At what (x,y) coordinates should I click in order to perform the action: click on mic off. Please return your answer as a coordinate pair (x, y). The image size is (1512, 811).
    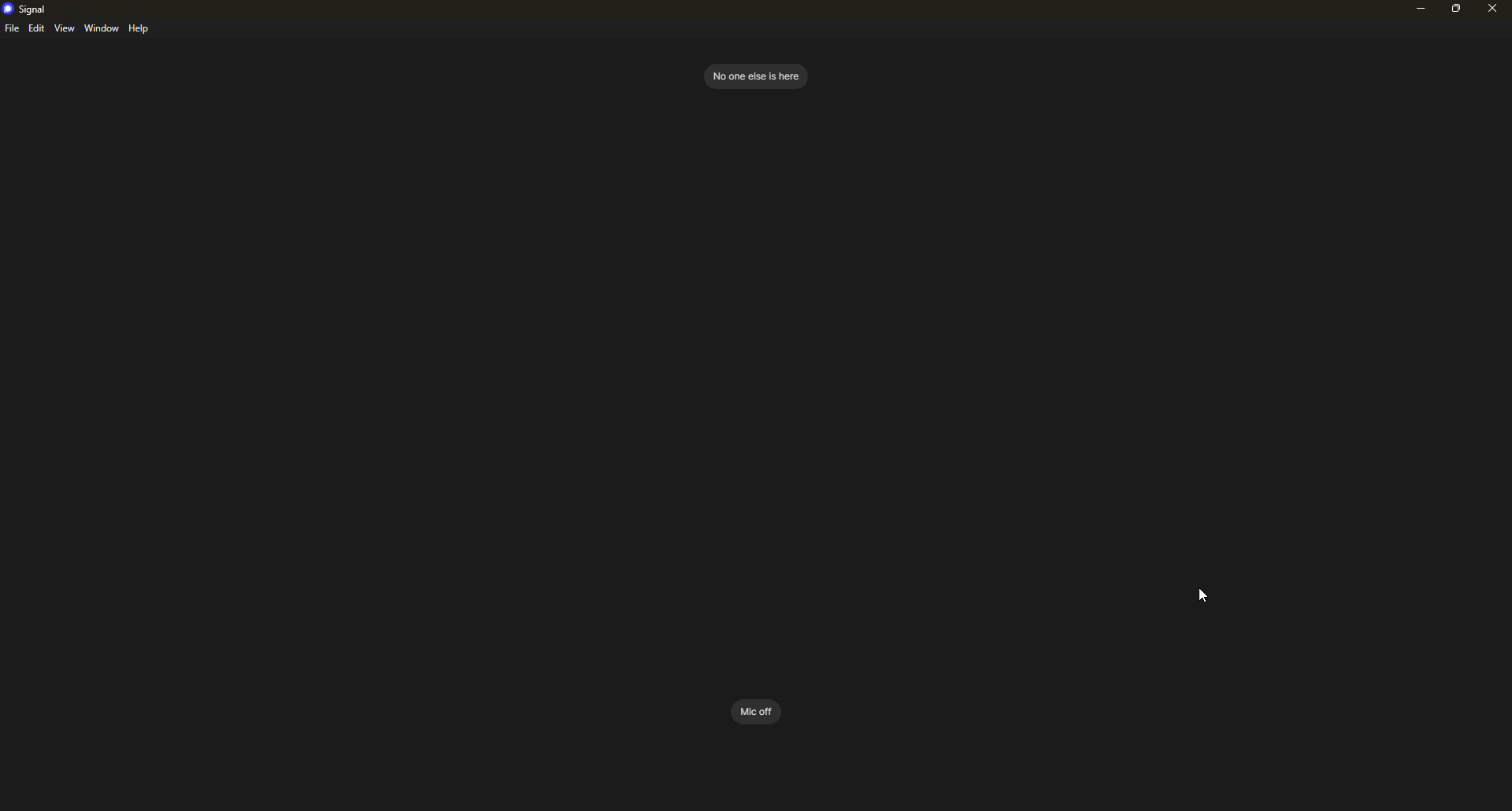
    Looking at the image, I should click on (756, 709).